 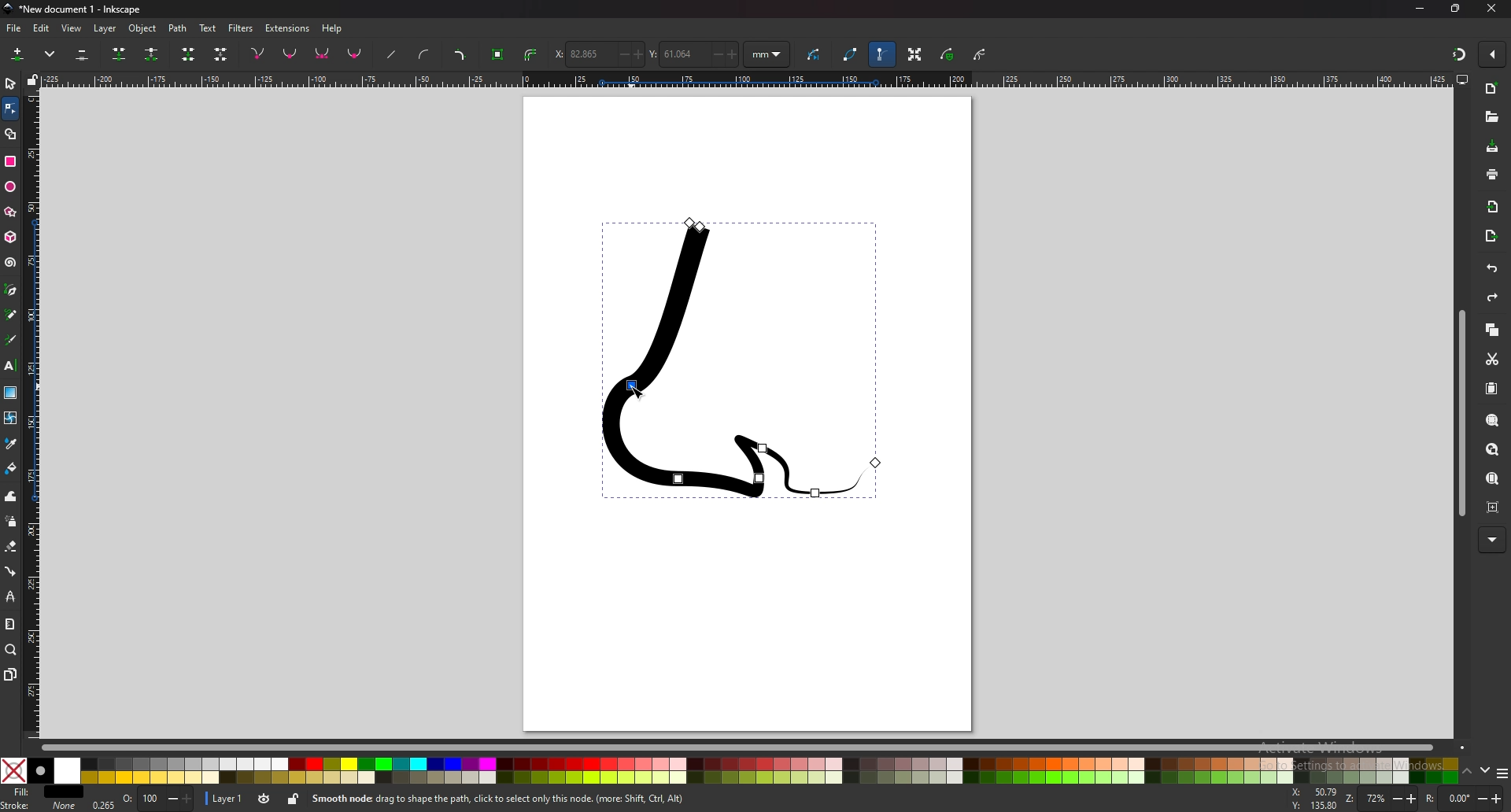 What do you see at coordinates (33, 79) in the screenshot?
I see `toggle lock guide` at bounding box center [33, 79].